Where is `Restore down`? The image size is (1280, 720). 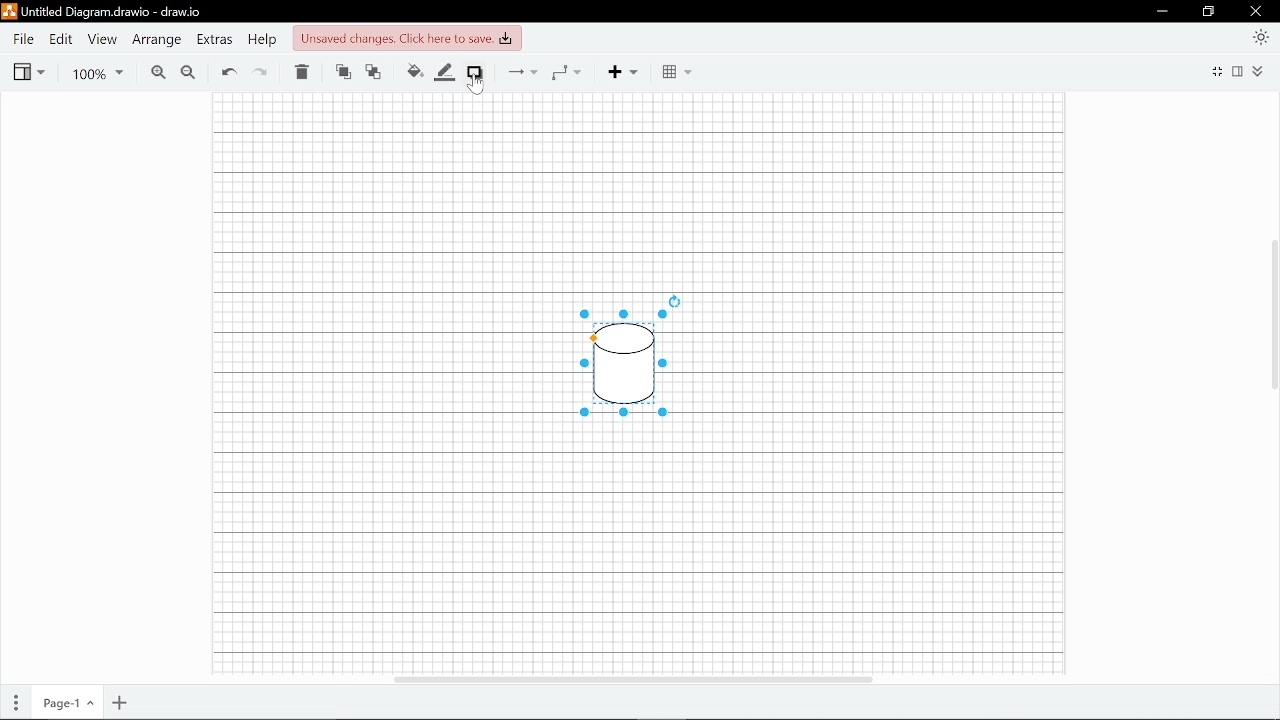 Restore down is located at coordinates (1210, 12).